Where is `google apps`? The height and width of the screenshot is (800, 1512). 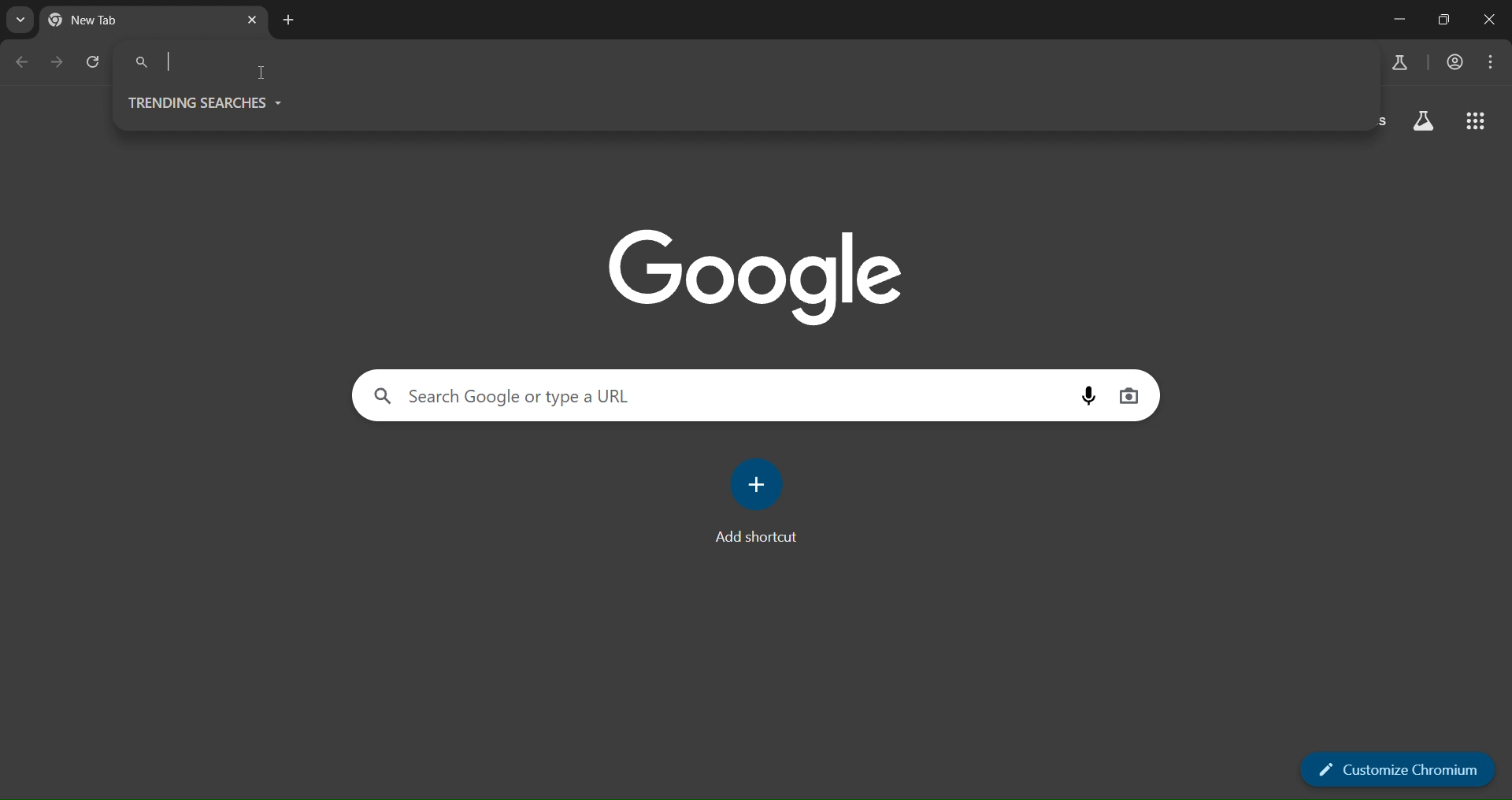
google apps is located at coordinates (1478, 119).